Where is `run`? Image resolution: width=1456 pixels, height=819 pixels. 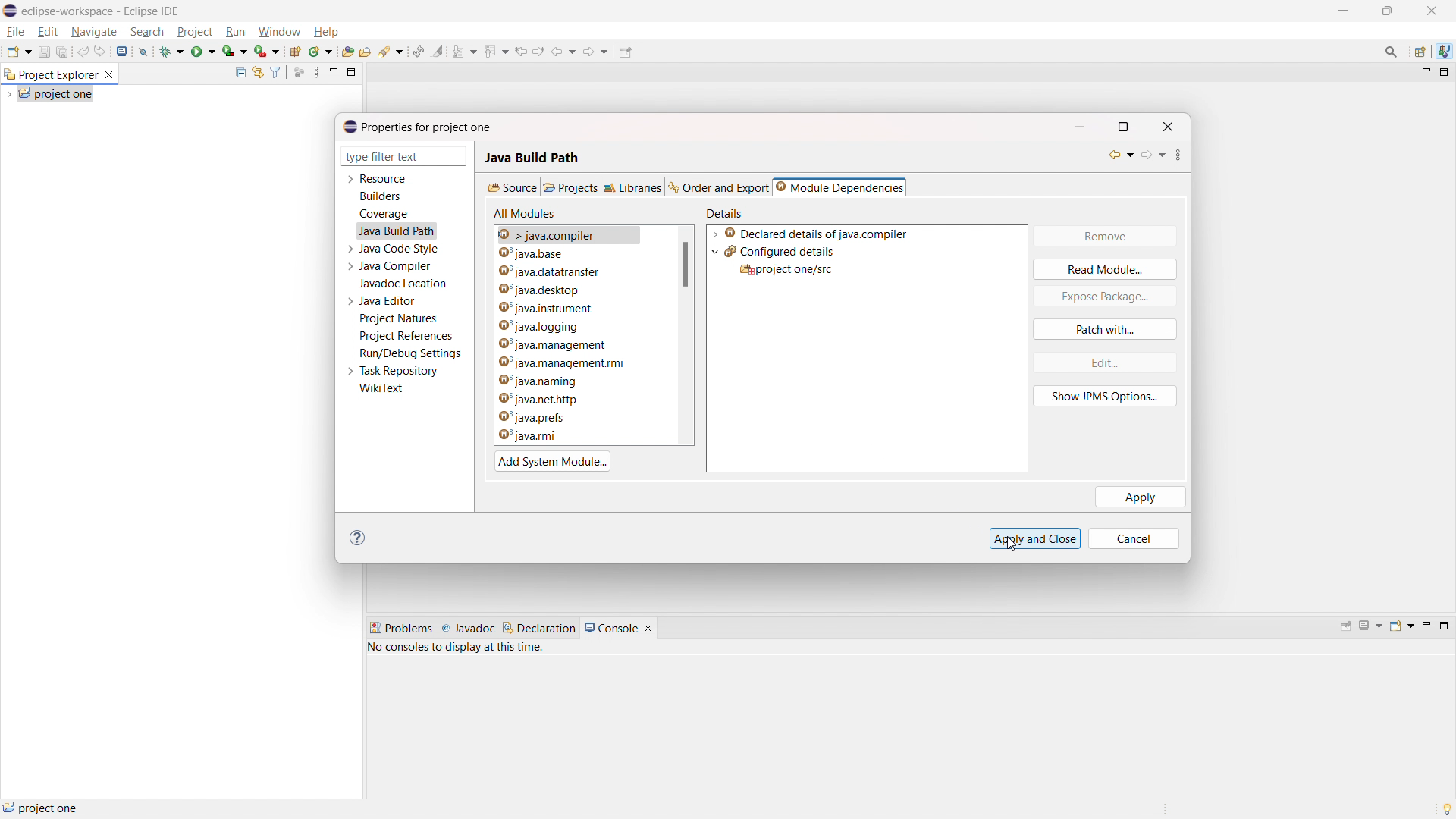 run is located at coordinates (203, 50).